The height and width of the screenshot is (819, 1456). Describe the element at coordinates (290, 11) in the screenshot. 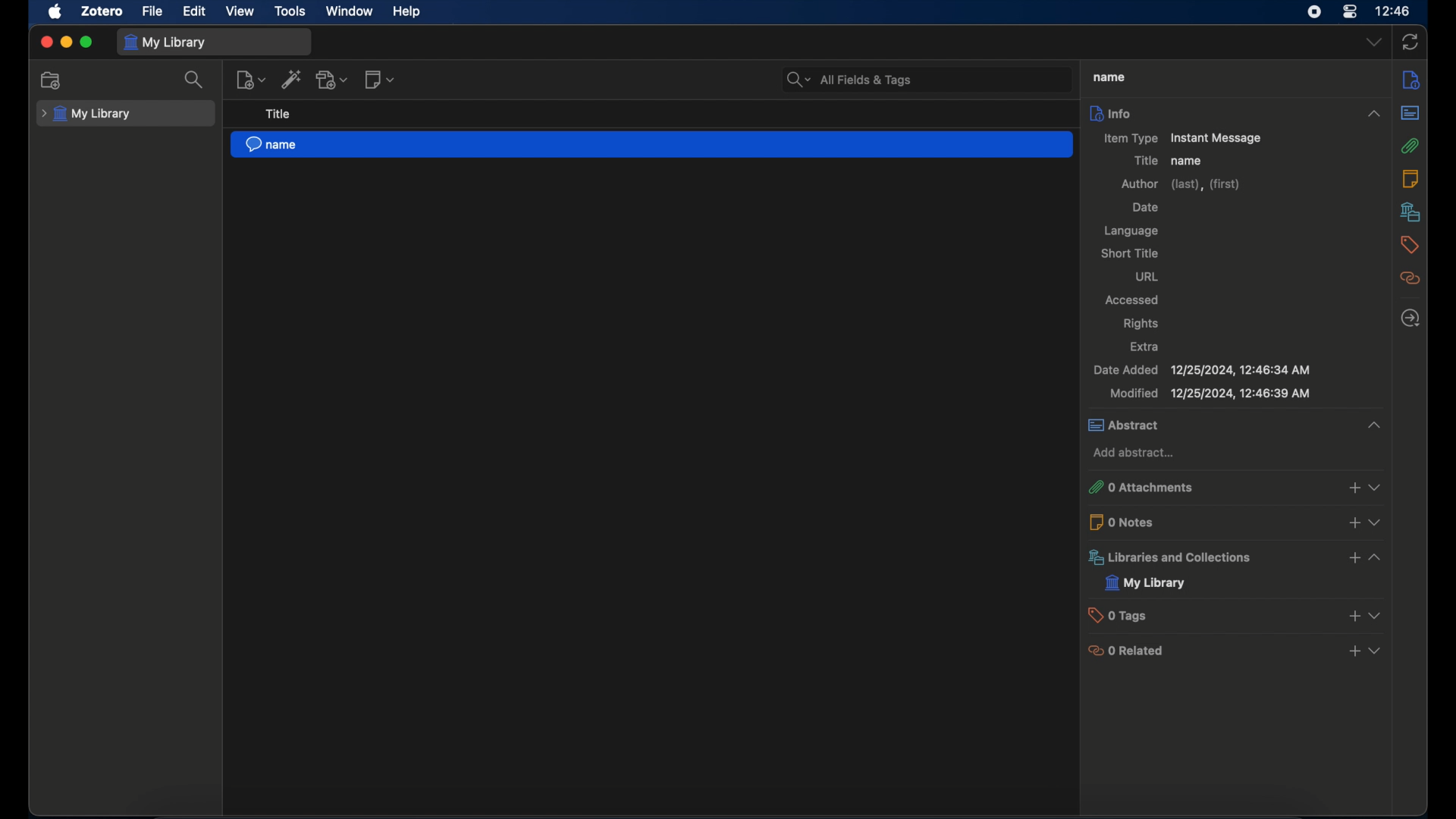

I see `tools` at that location.